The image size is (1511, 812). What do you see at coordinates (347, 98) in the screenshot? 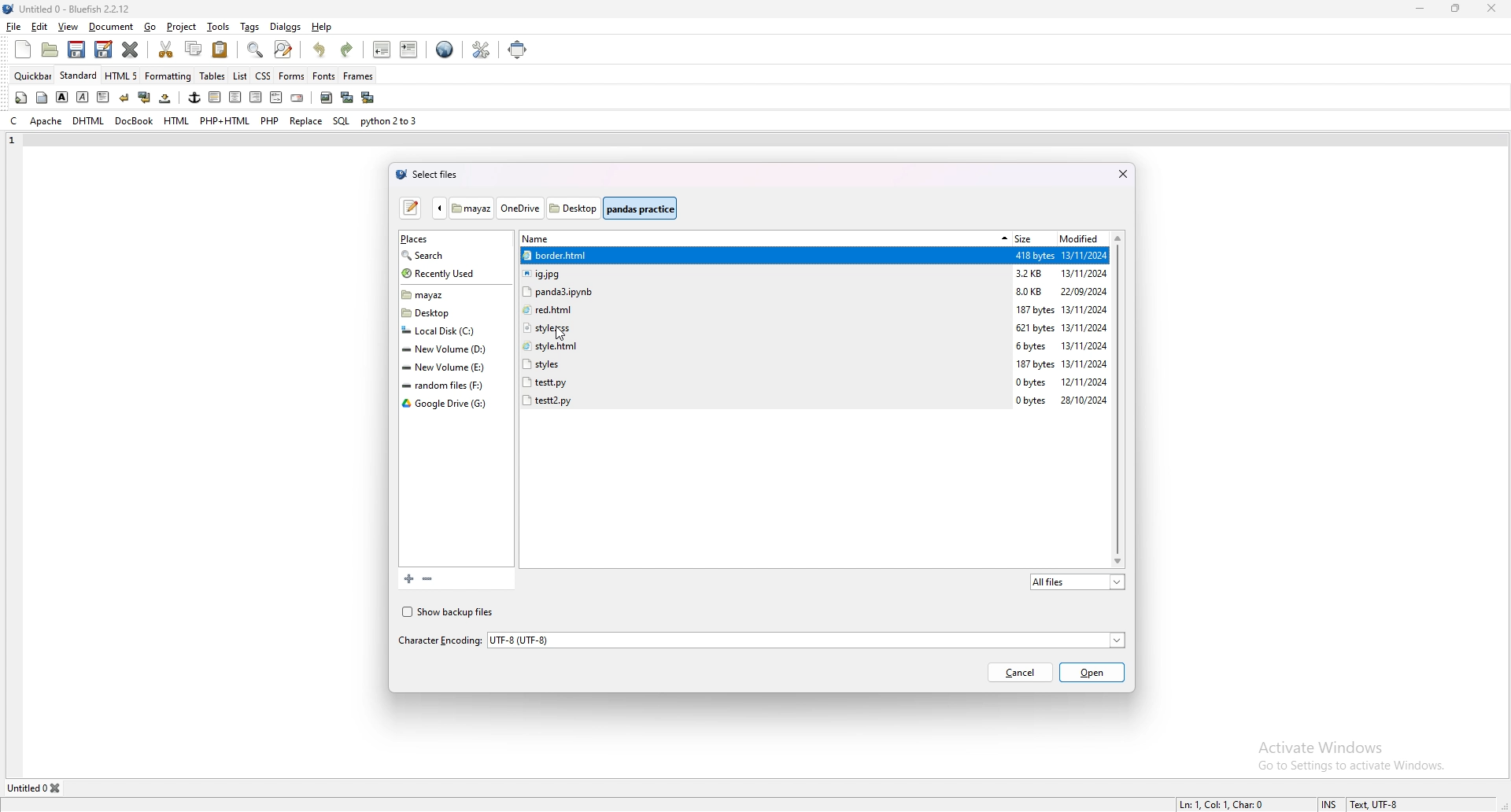
I see `insert thumbnail` at bounding box center [347, 98].